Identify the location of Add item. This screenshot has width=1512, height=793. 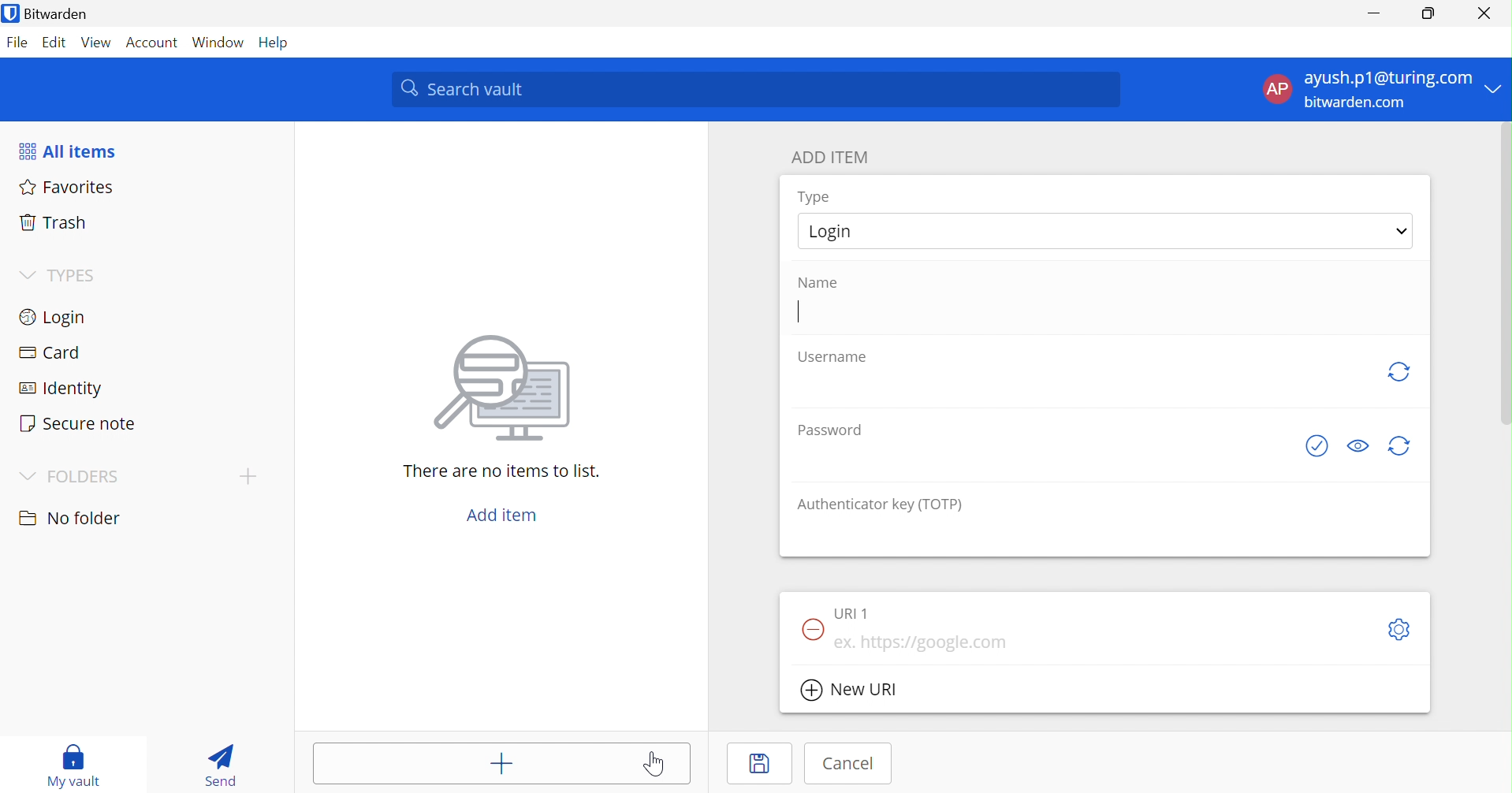
(503, 765).